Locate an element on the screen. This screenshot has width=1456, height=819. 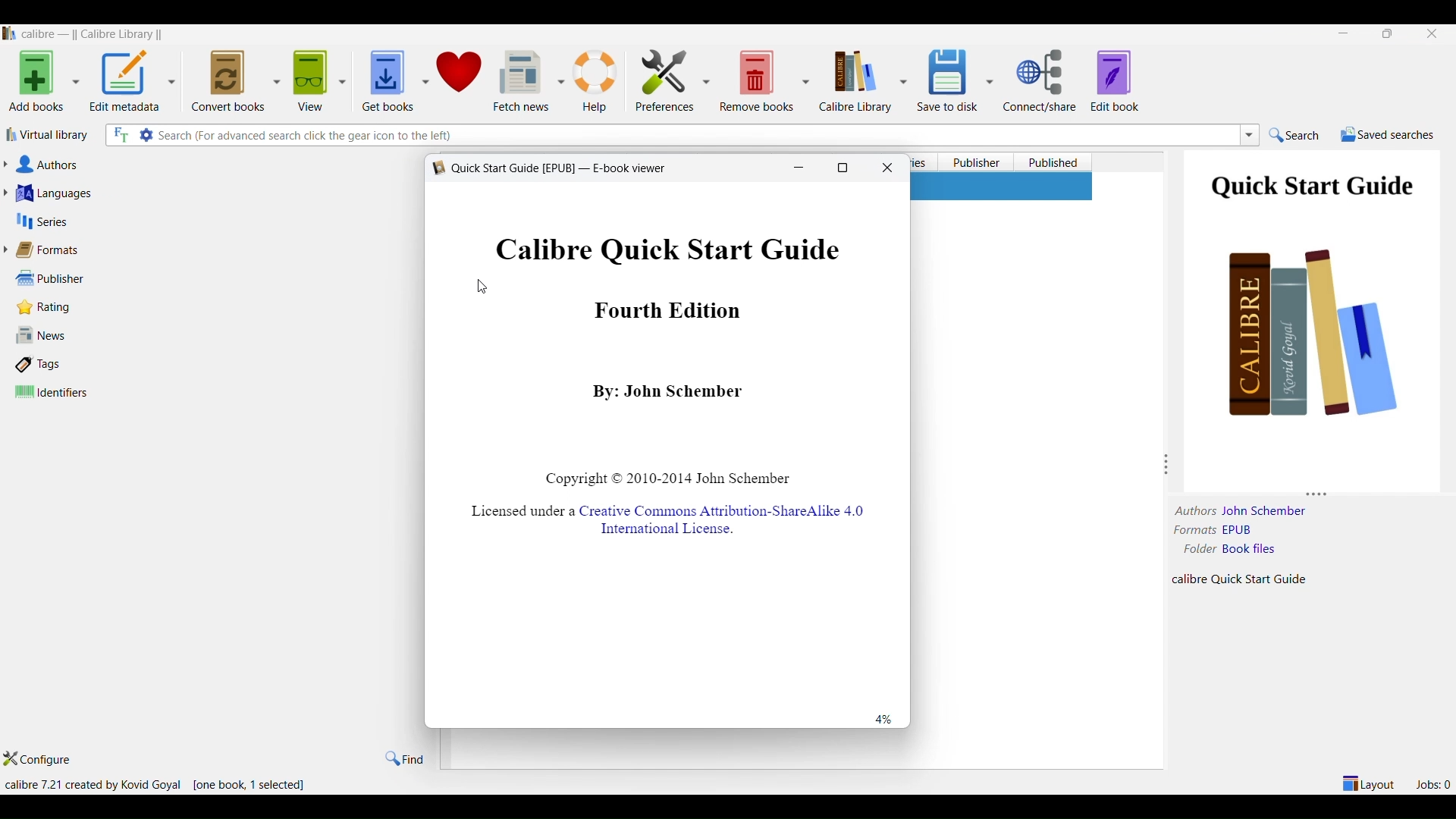
remove books options dropdown button is located at coordinates (808, 83).